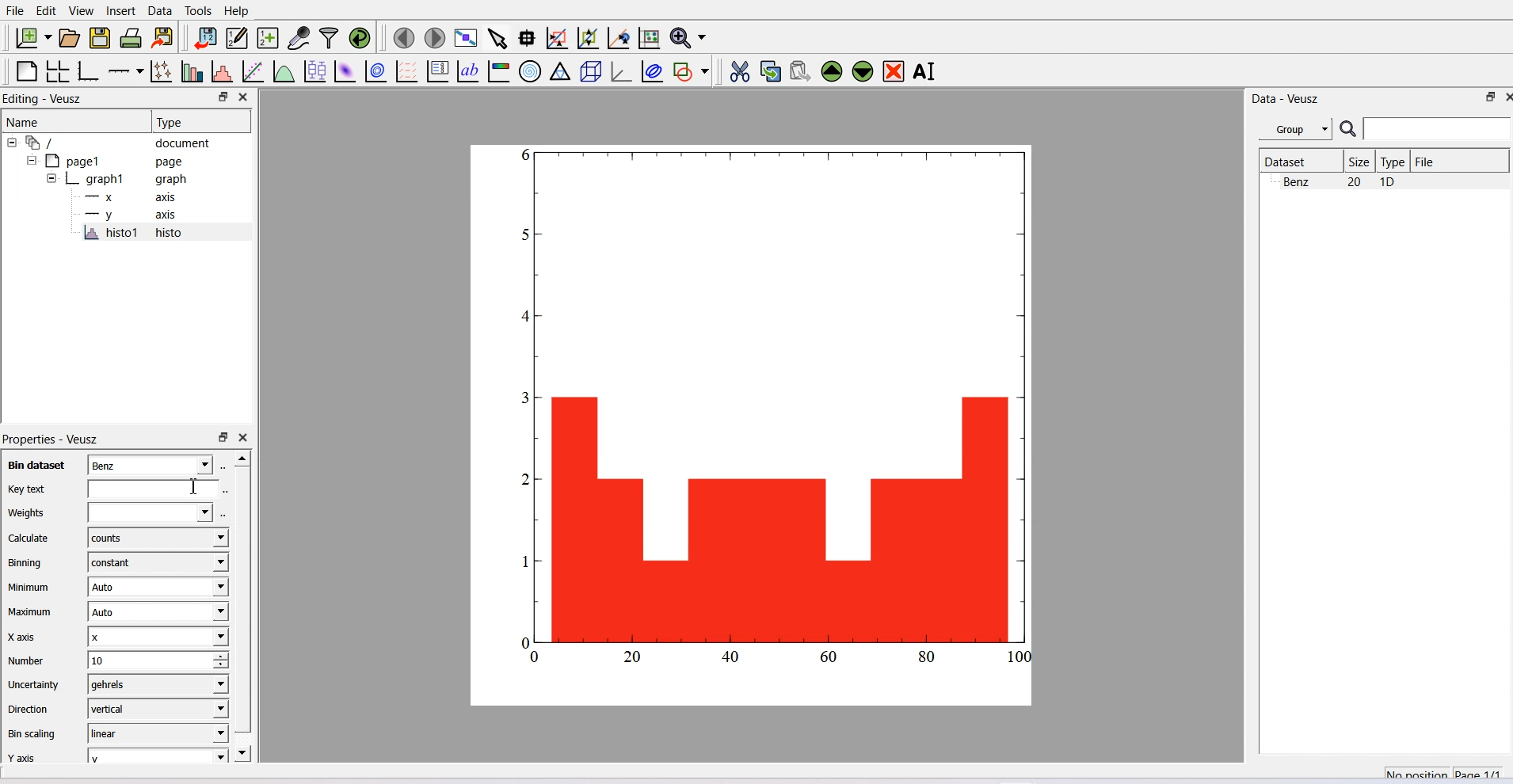  I want to click on Polar Graph, so click(530, 72).